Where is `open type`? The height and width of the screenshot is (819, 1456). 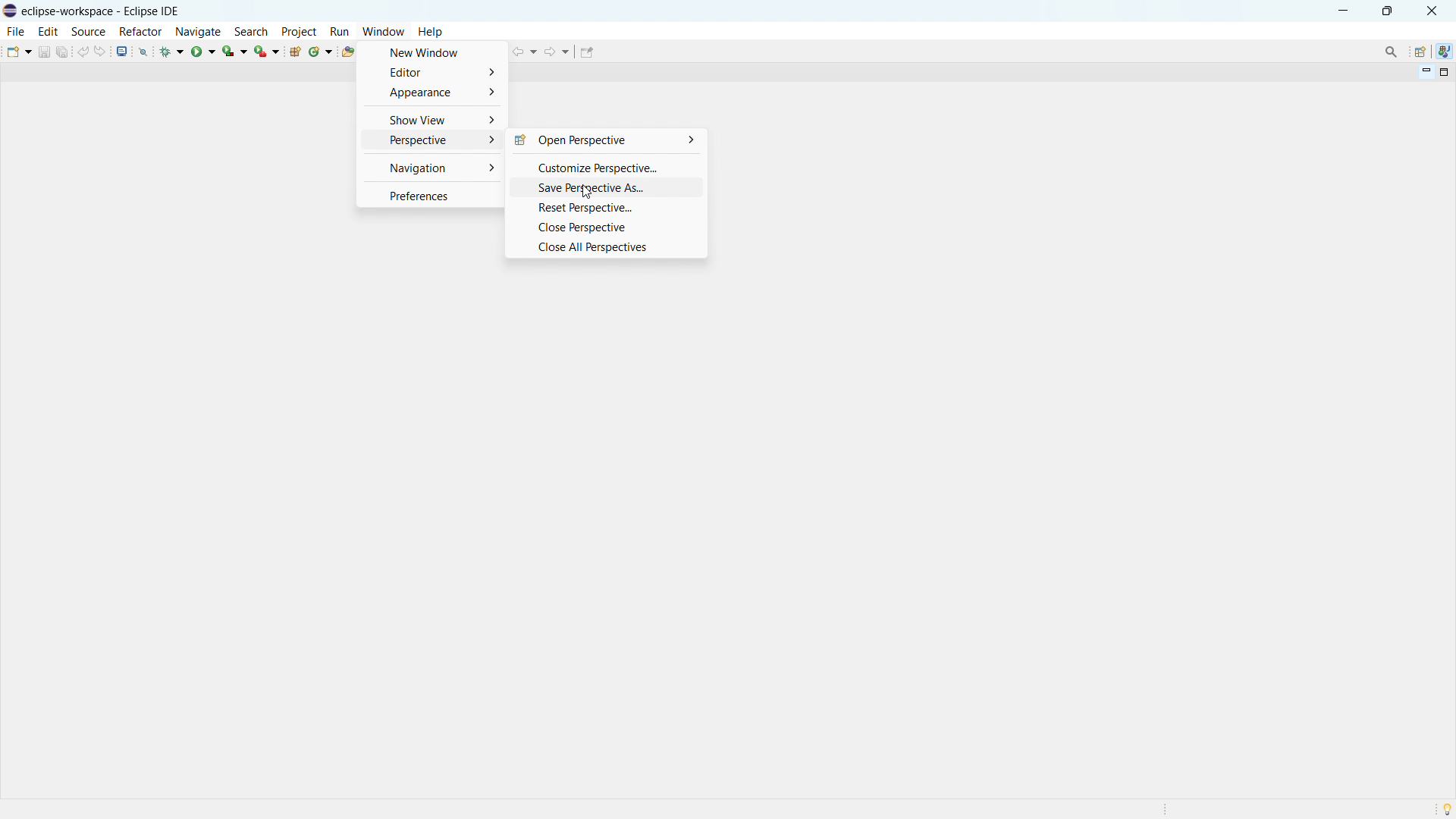
open type is located at coordinates (347, 52).